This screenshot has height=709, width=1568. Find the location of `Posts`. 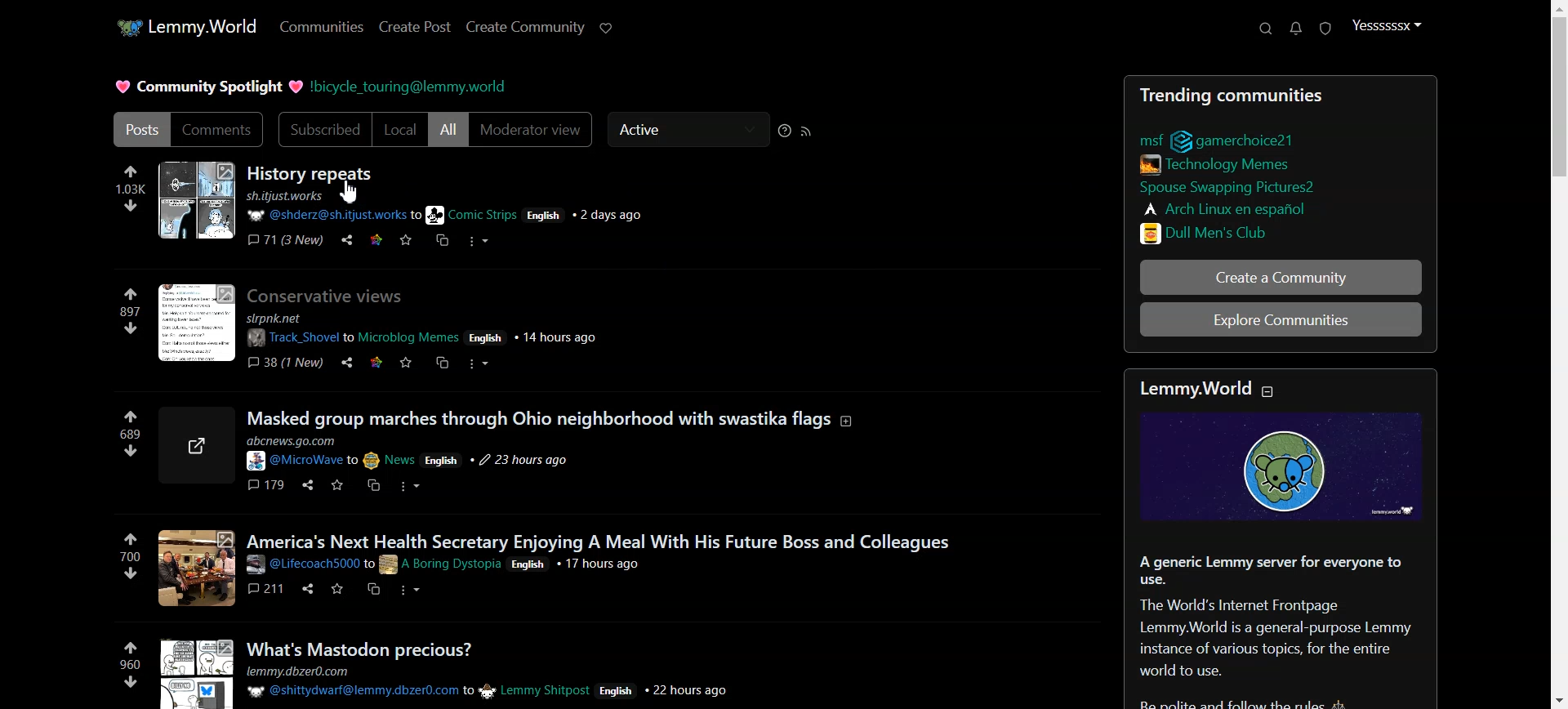

Posts is located at coordinates (140, 130).